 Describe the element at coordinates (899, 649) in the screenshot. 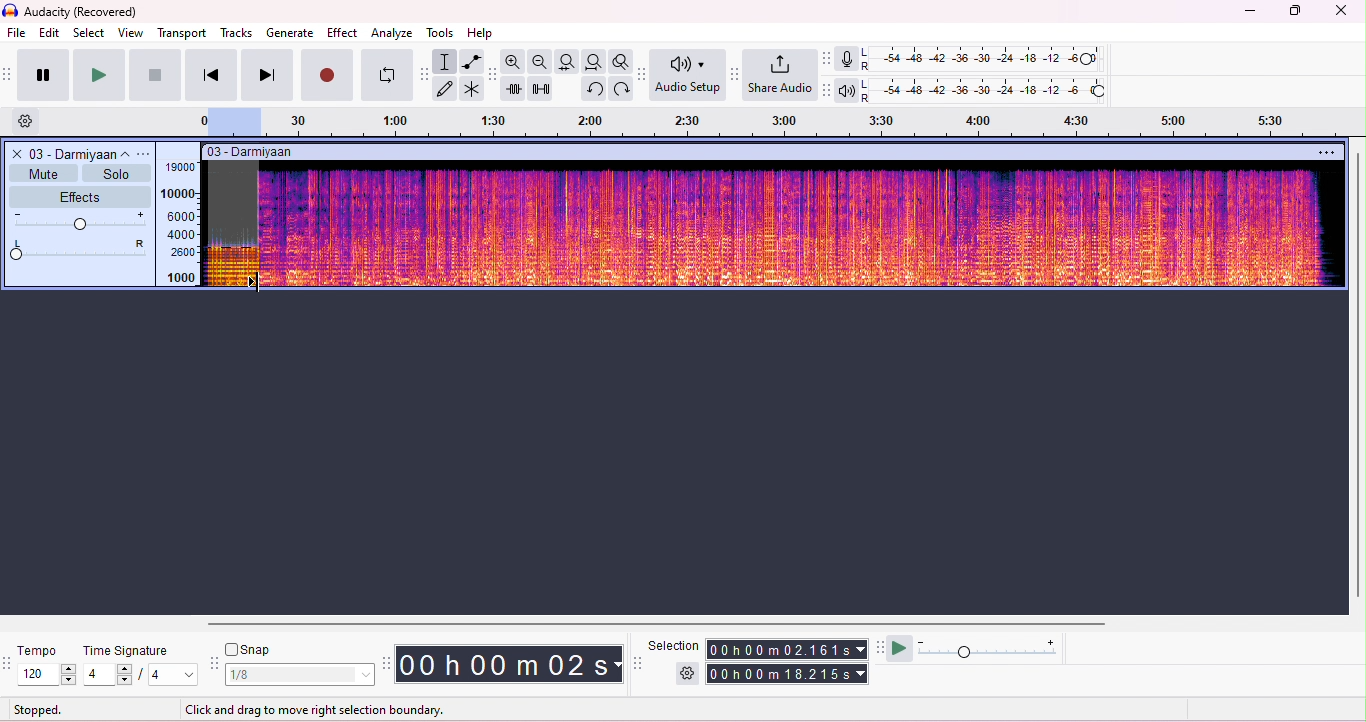

I see `play at speed/play at speed once` at that location.